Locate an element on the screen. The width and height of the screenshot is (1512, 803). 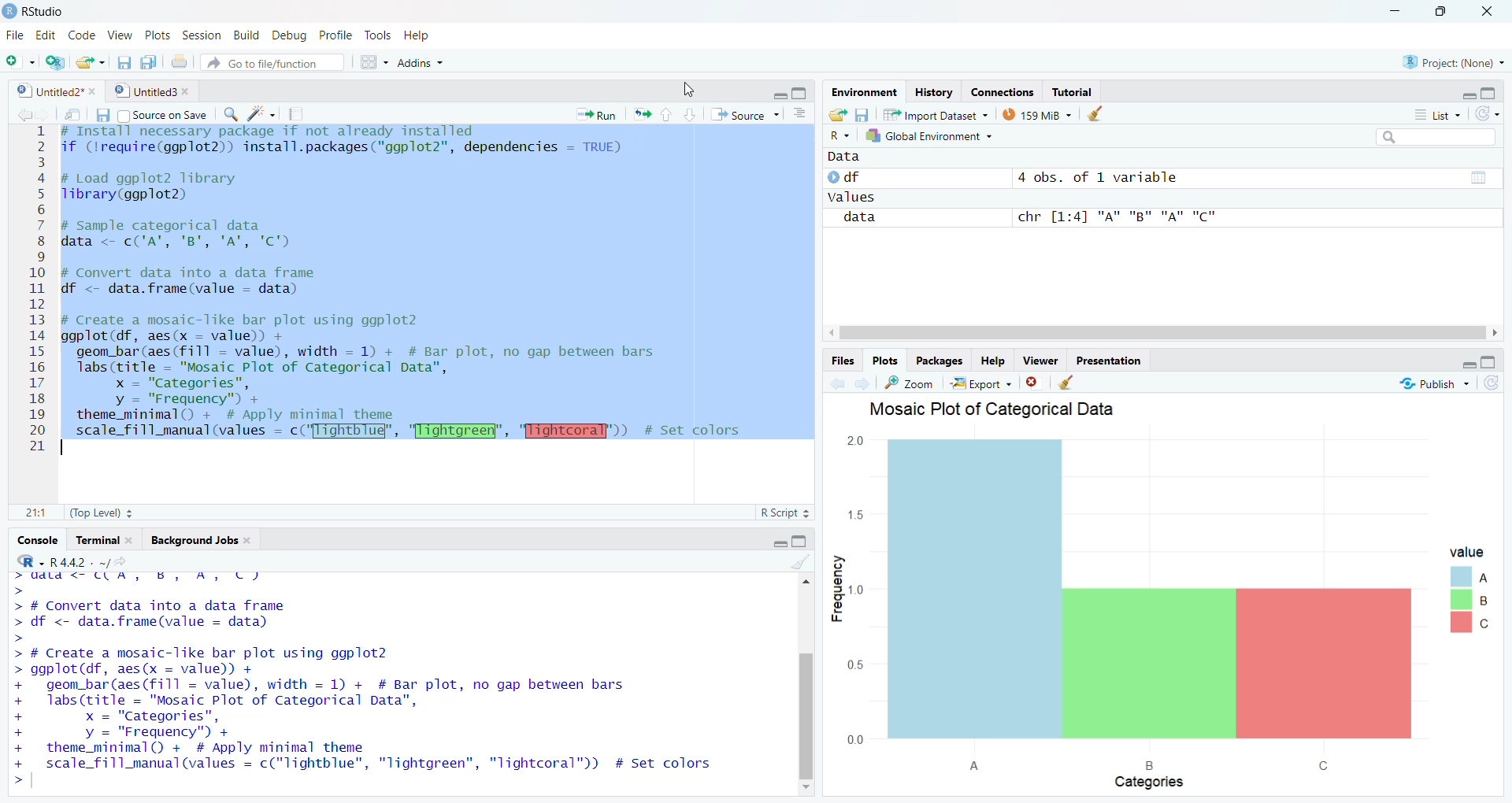
Date is located at coordinates (1477, 176).